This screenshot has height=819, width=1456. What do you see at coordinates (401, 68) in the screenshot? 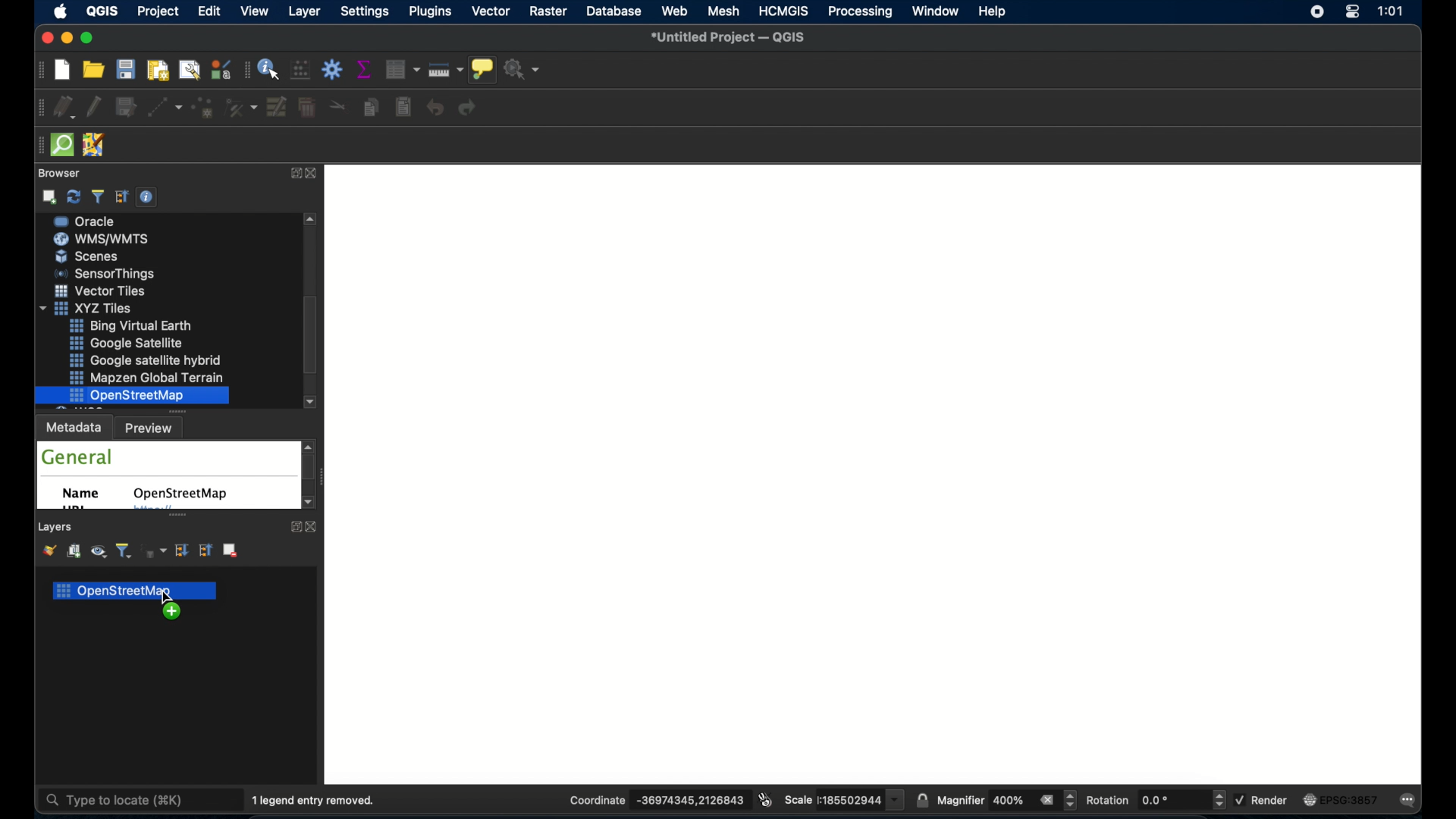
I see `open attribute table` at bounding box center [401, 68].